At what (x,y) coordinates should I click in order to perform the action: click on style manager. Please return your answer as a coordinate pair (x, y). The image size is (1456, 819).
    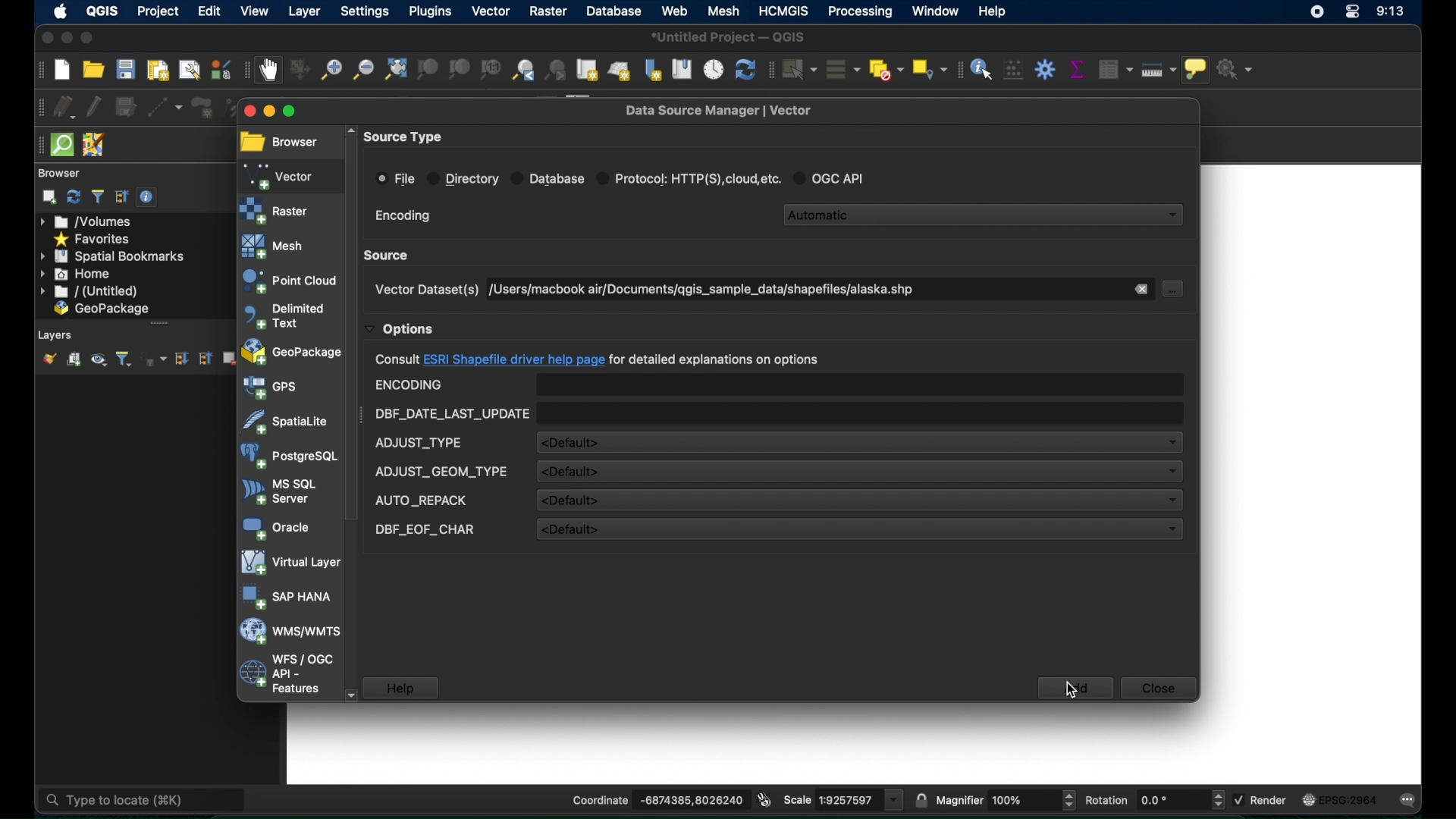
    Looking at the image, I should click on (220, 68).